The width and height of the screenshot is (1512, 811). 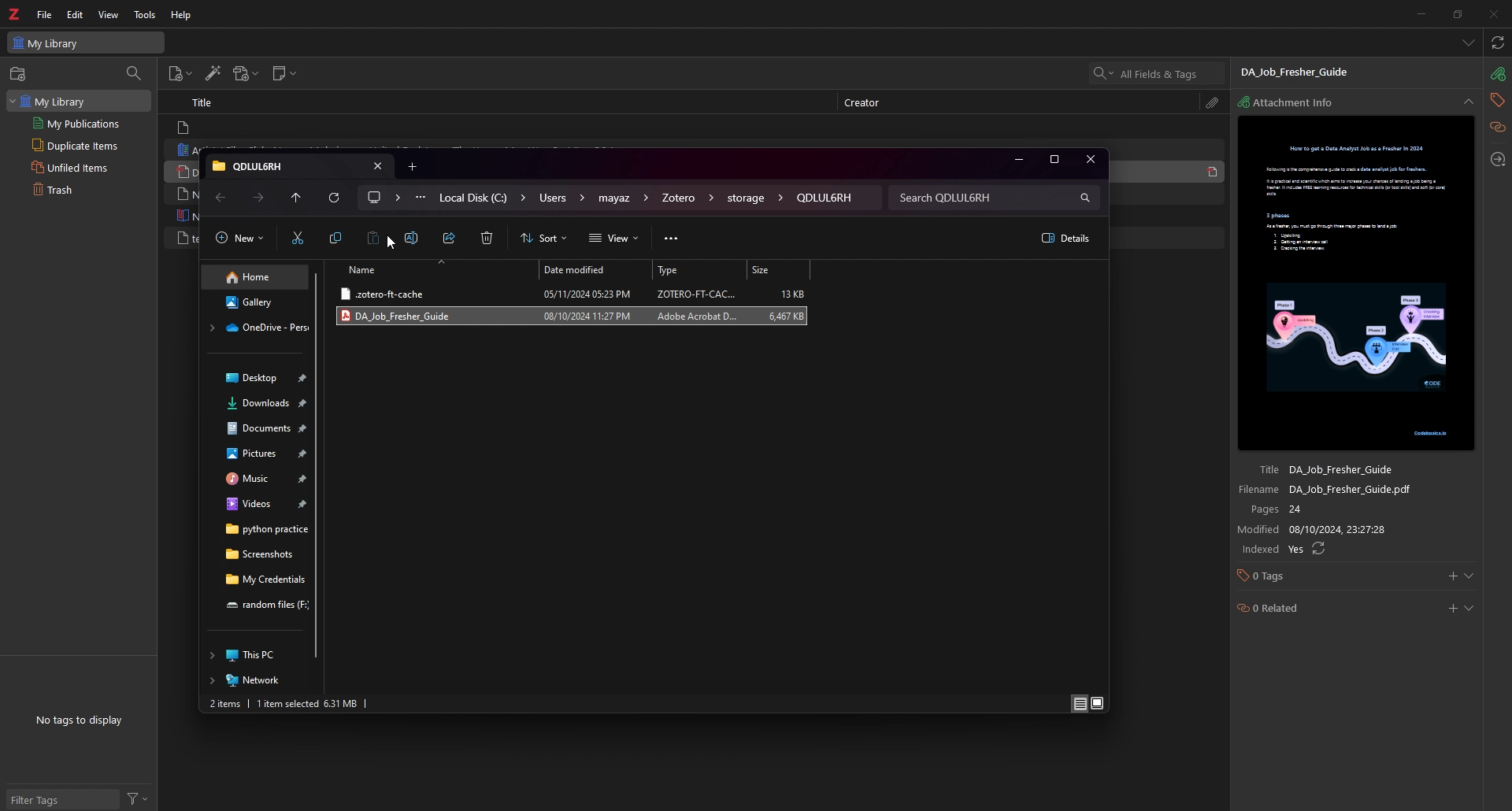 I want to click on file name, so click(x=1343, y=491).